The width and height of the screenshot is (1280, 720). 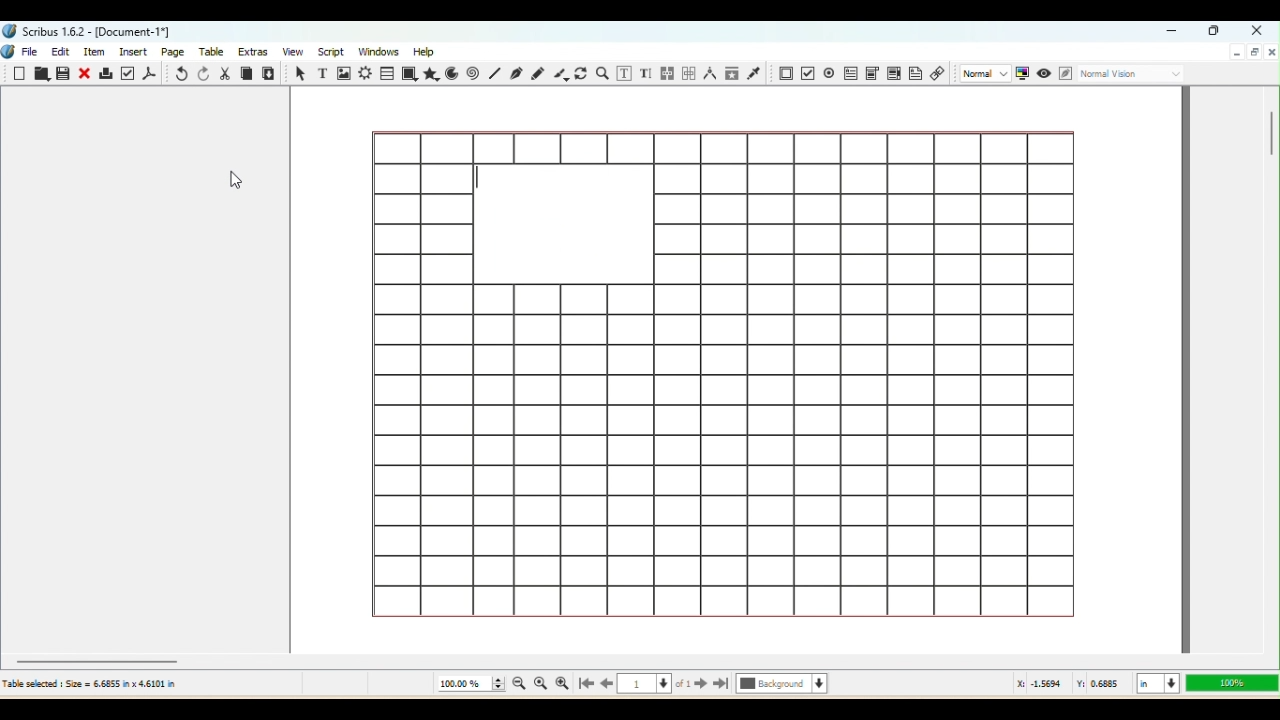 What do you see at coordinates (516, 686) in the screenshot?
I see `Zoom out` at bounding box center [516, 686].